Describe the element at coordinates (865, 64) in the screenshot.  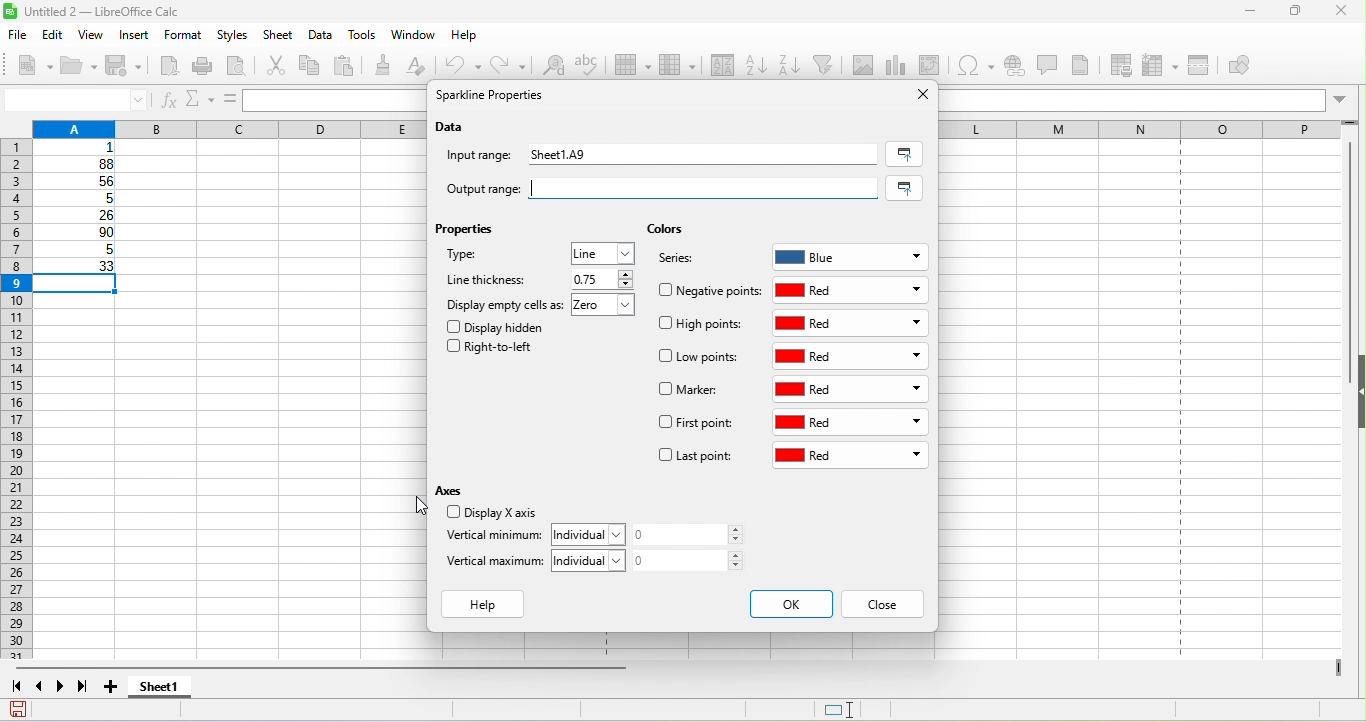
I see `image` at that location.